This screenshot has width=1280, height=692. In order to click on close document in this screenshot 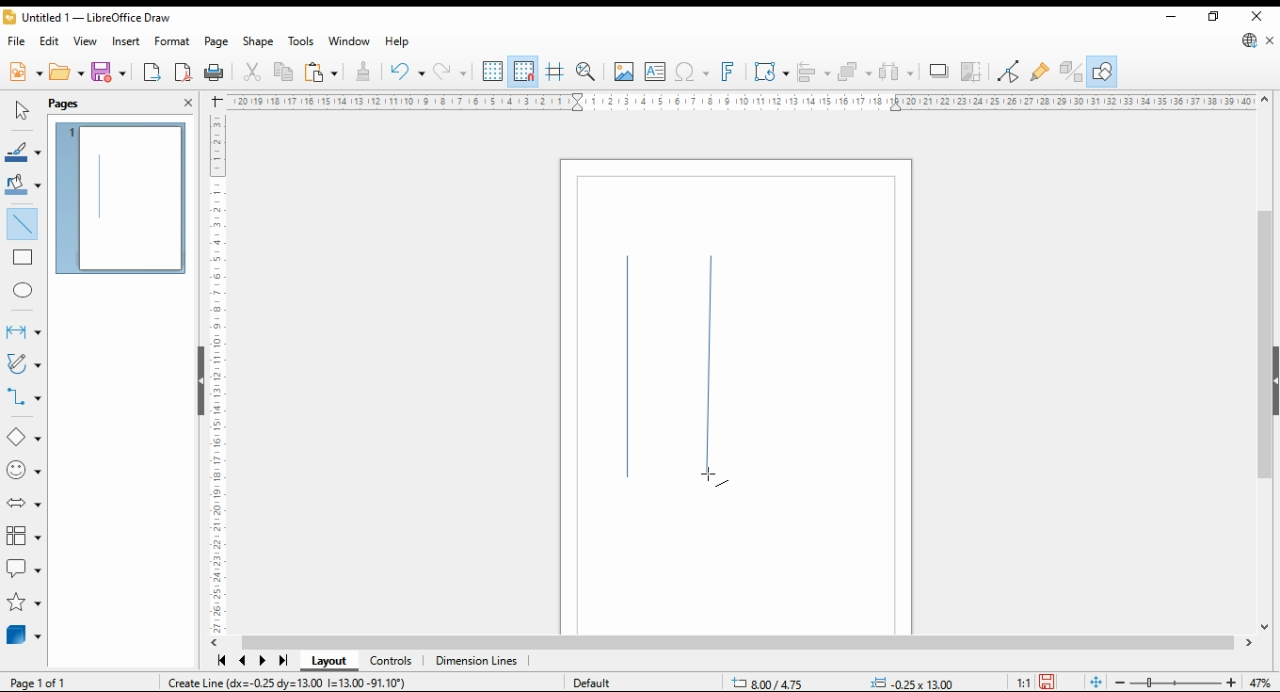, I will do `click(1270, 41)`.